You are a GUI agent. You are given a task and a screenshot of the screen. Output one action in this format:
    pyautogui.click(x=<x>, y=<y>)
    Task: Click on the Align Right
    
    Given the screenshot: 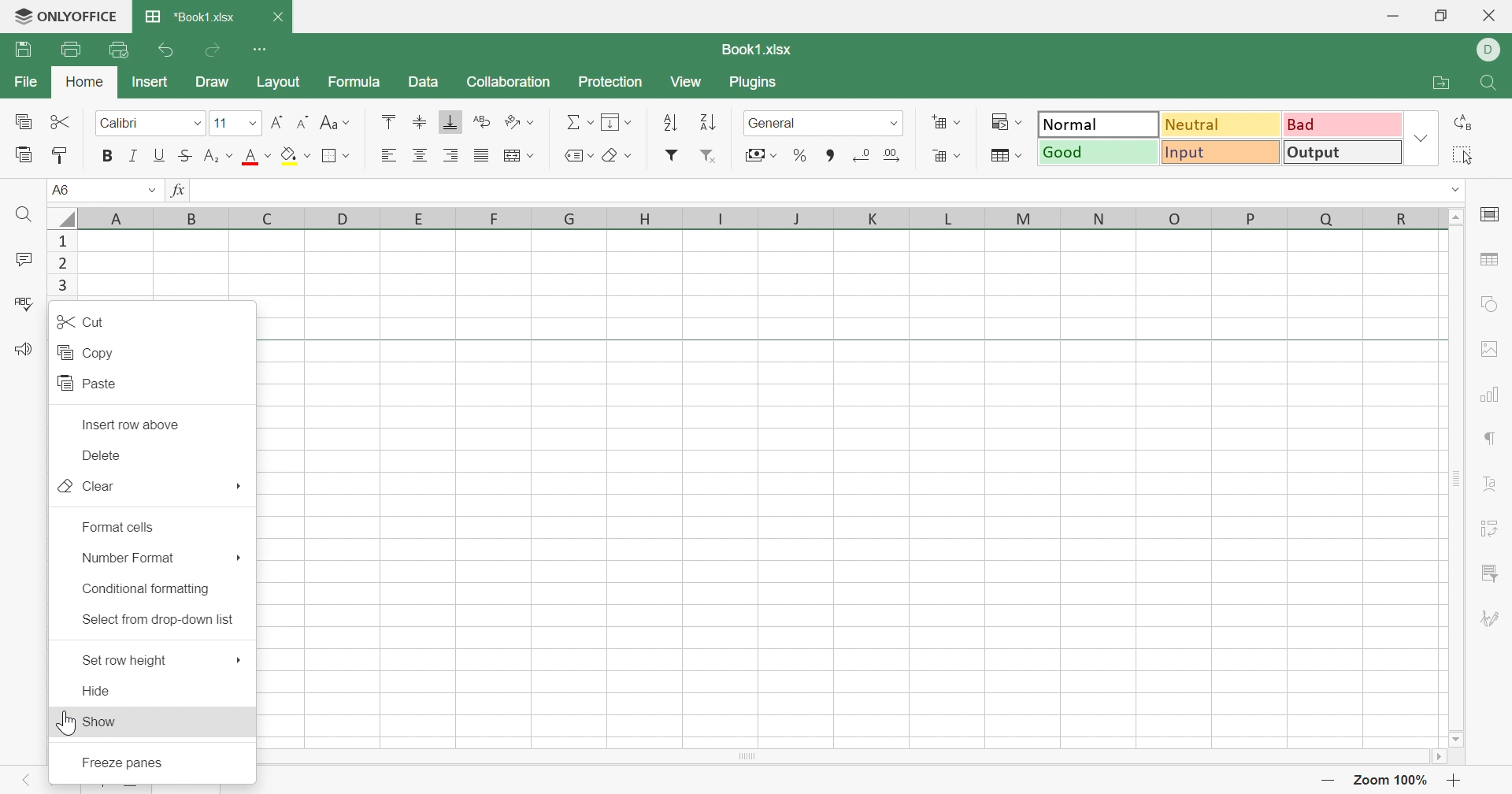 What is the action you would take?
    pyautogui.click(x=451, y=157)
    